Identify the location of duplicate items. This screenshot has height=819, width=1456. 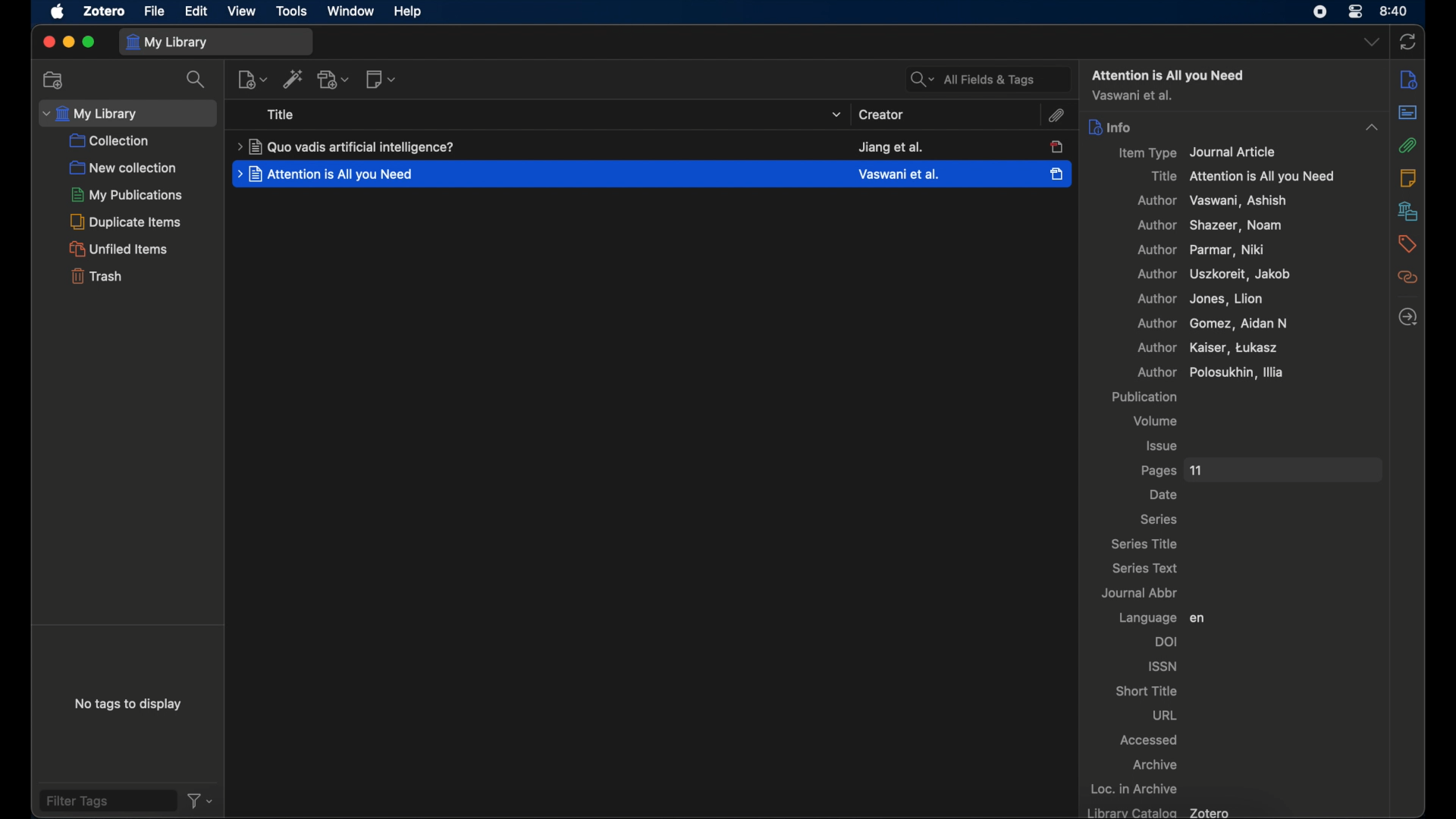
(127, 221).